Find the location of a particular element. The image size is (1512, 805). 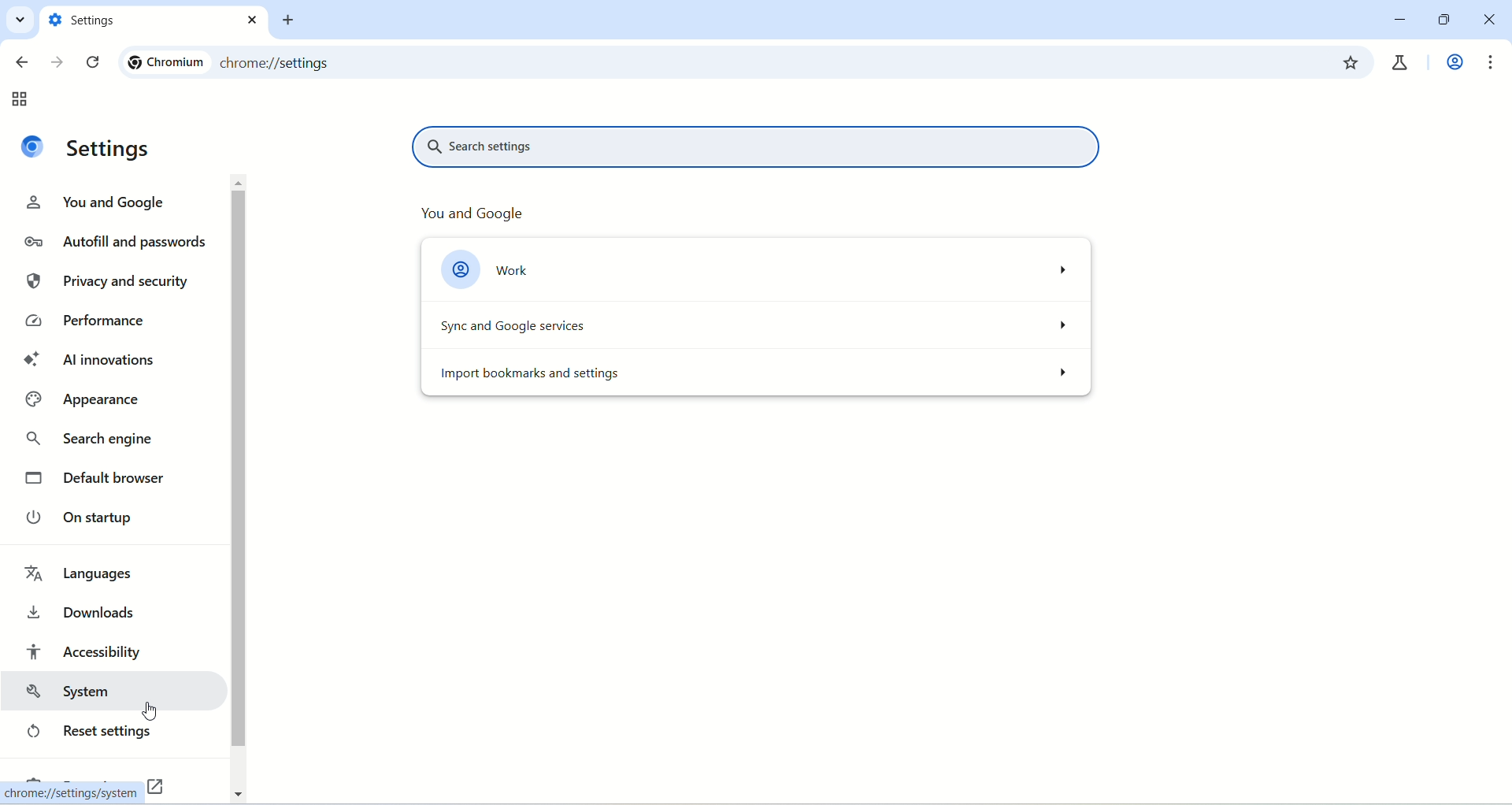

chrome labs is located at coordinates (1403, 60).